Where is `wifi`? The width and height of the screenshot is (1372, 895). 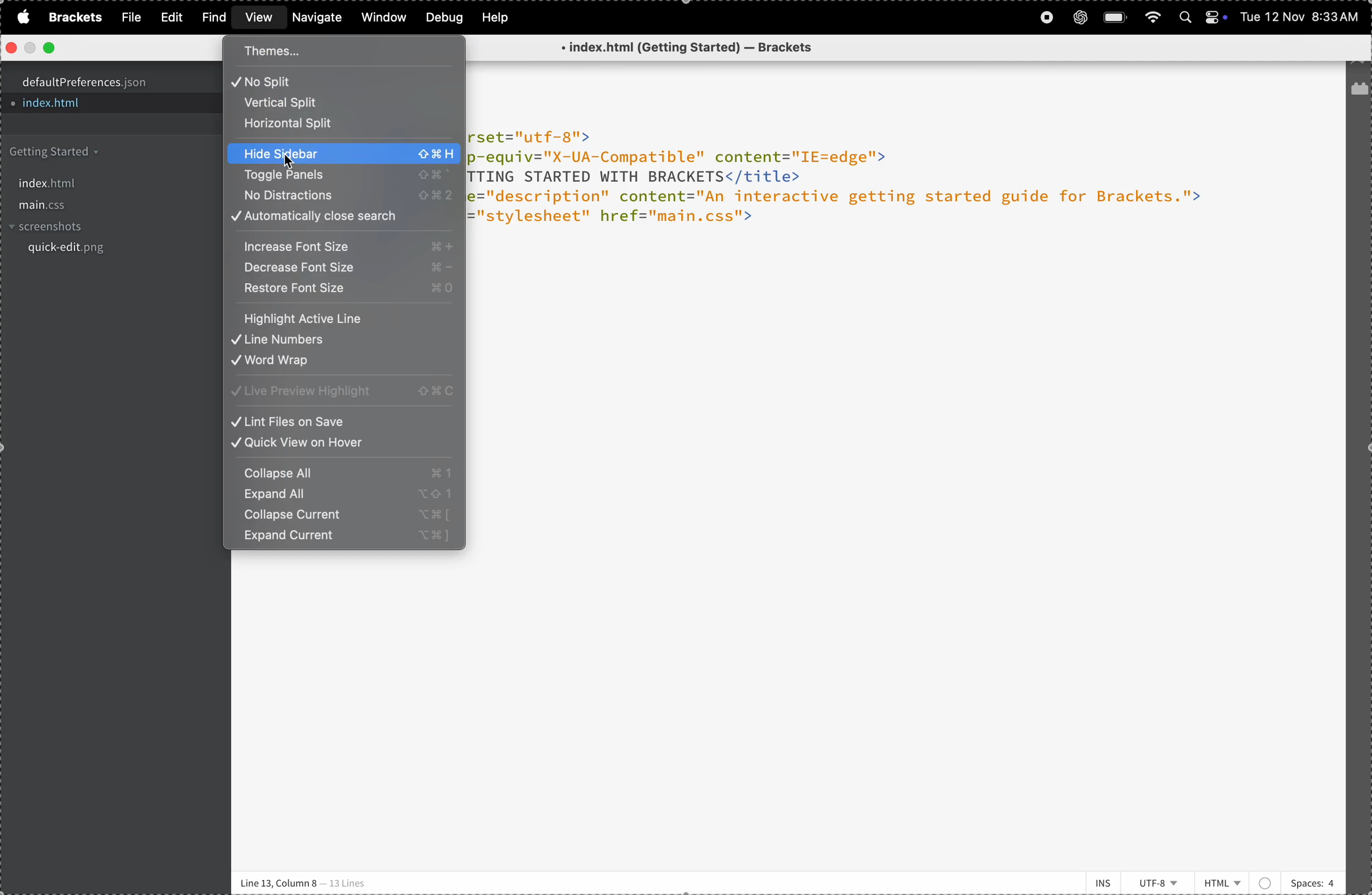 wifi is located at coordinates (1152, 17).